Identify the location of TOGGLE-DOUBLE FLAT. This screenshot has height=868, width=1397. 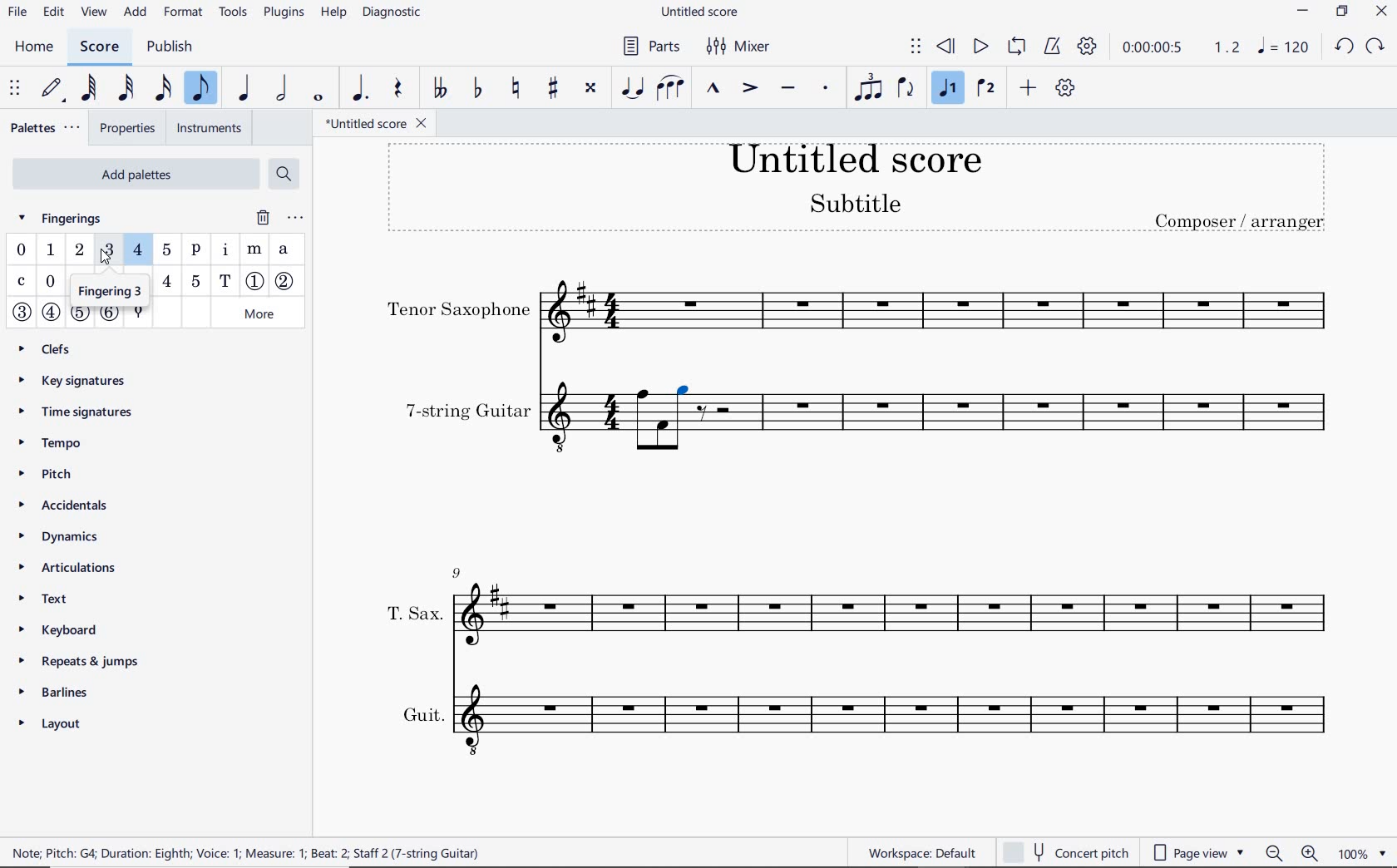
(439, 87).